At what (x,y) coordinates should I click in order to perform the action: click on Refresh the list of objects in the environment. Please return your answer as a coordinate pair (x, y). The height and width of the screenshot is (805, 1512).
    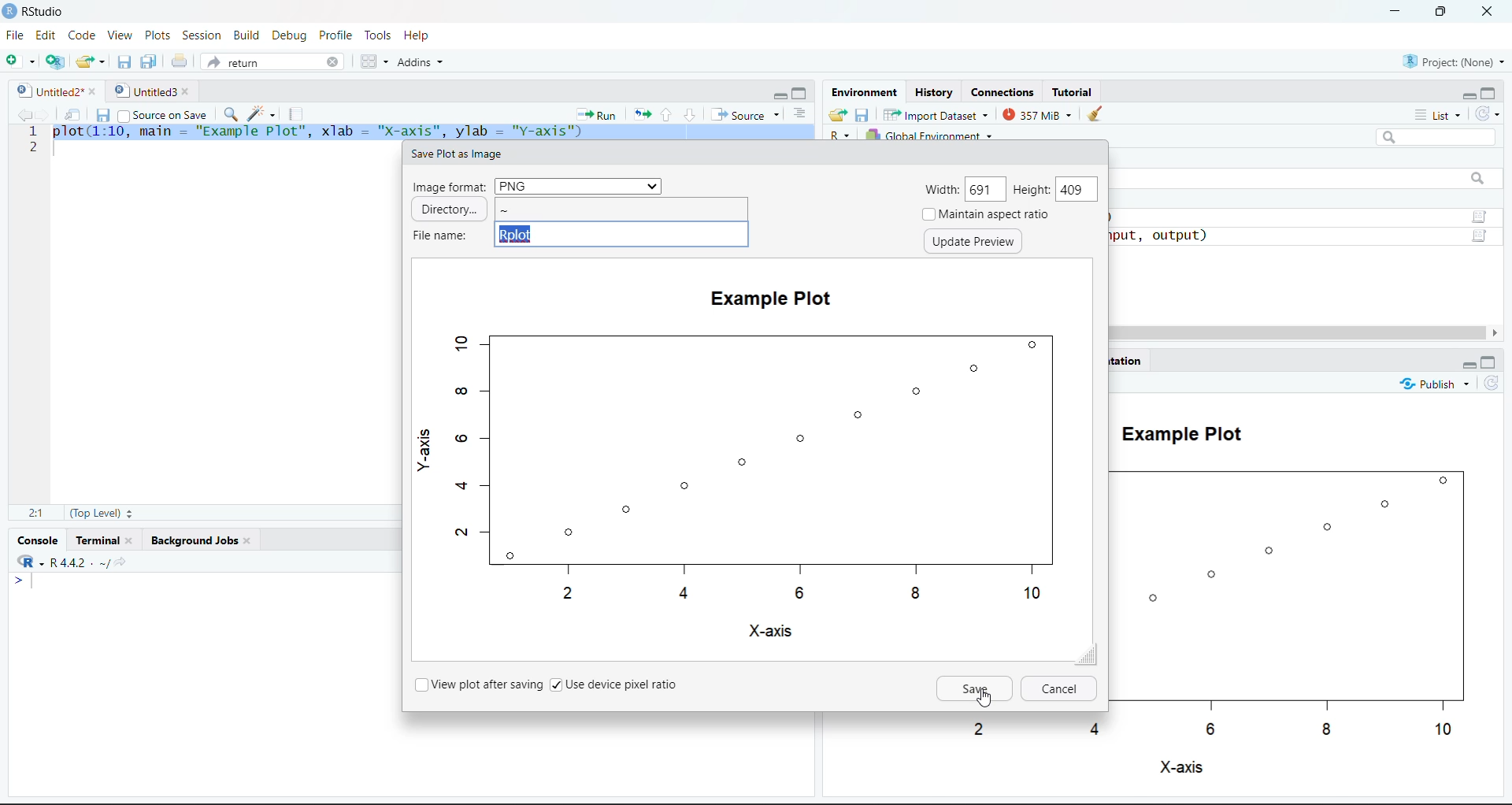
    Looking at the image, I should click on (1488, 113).